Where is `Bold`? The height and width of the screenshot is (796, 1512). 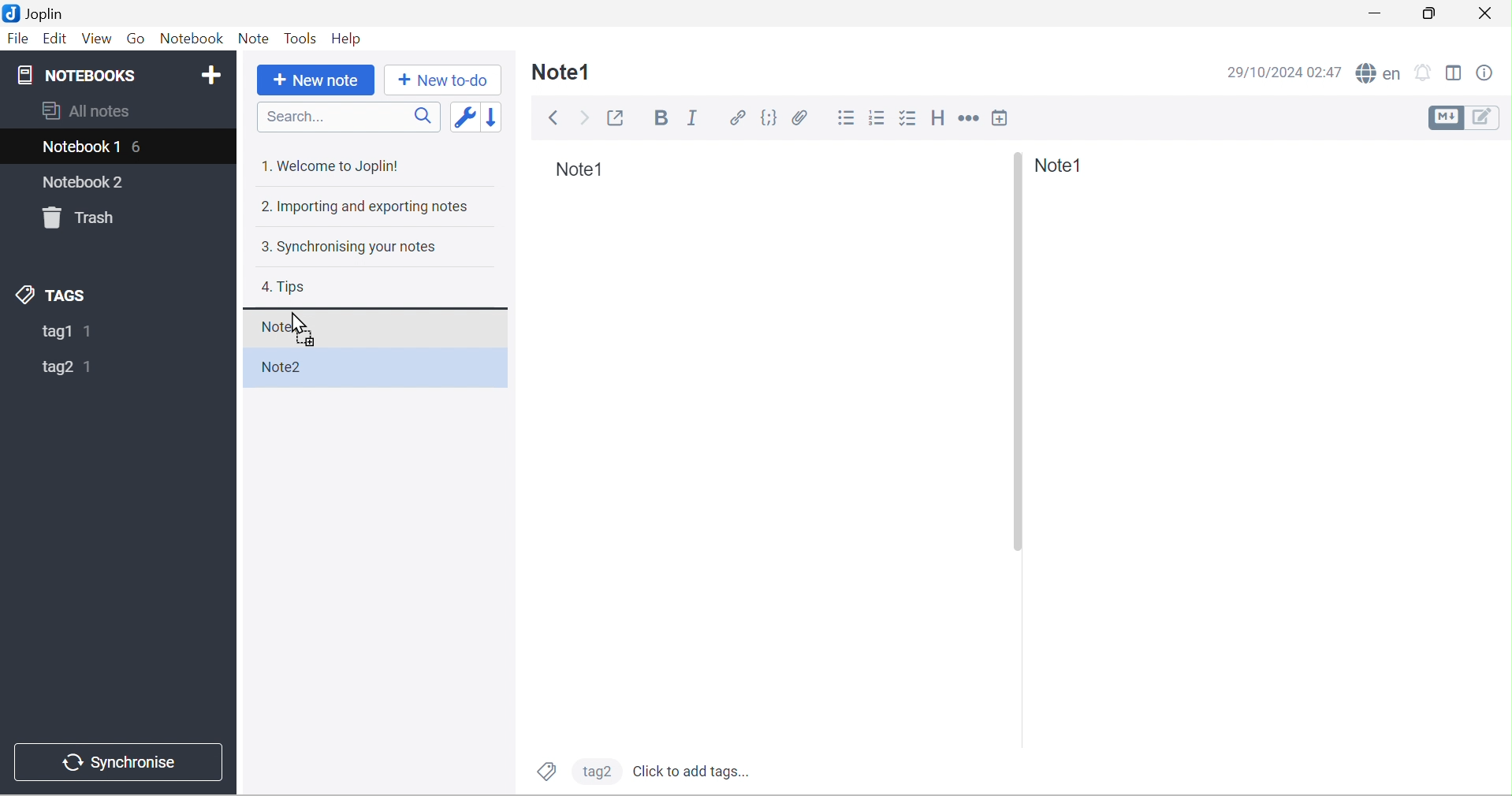
Bold is located at coordinates (659, 119).